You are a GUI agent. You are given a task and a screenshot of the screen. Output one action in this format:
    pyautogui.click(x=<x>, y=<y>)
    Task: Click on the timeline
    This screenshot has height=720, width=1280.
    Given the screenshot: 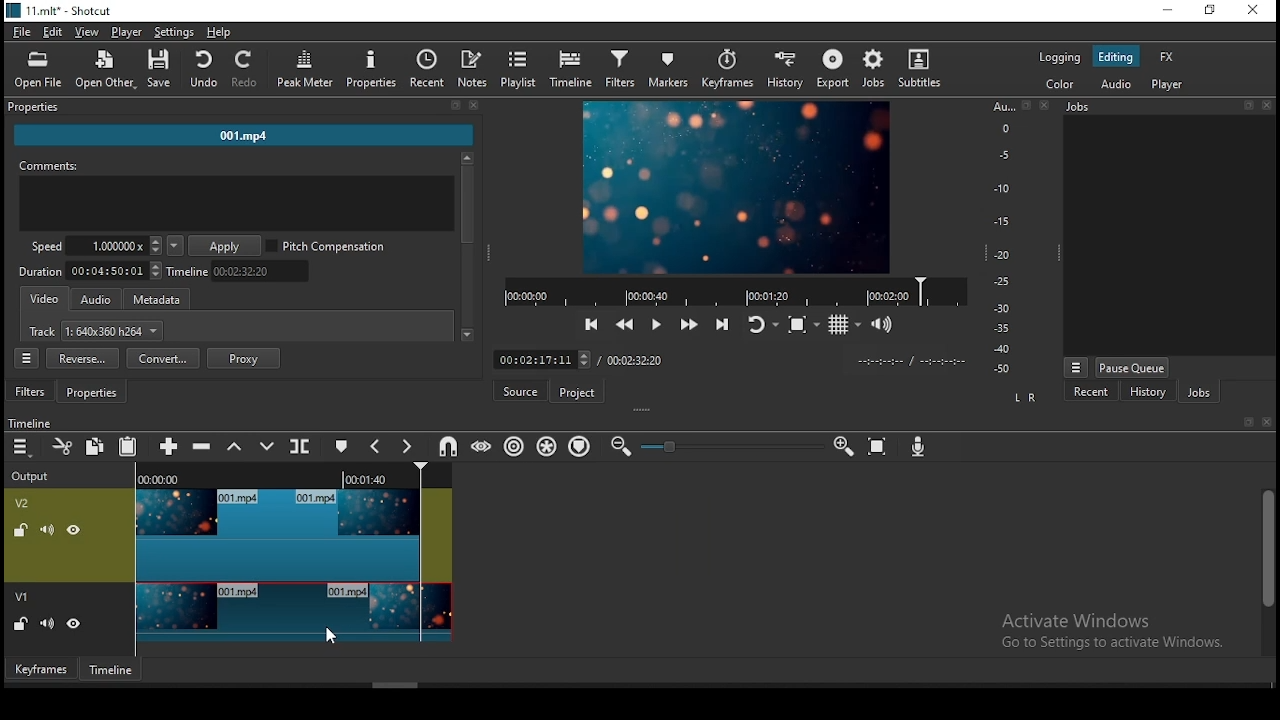 What is the action you would take?
    pyautogui.click(x=570, y=70)
    